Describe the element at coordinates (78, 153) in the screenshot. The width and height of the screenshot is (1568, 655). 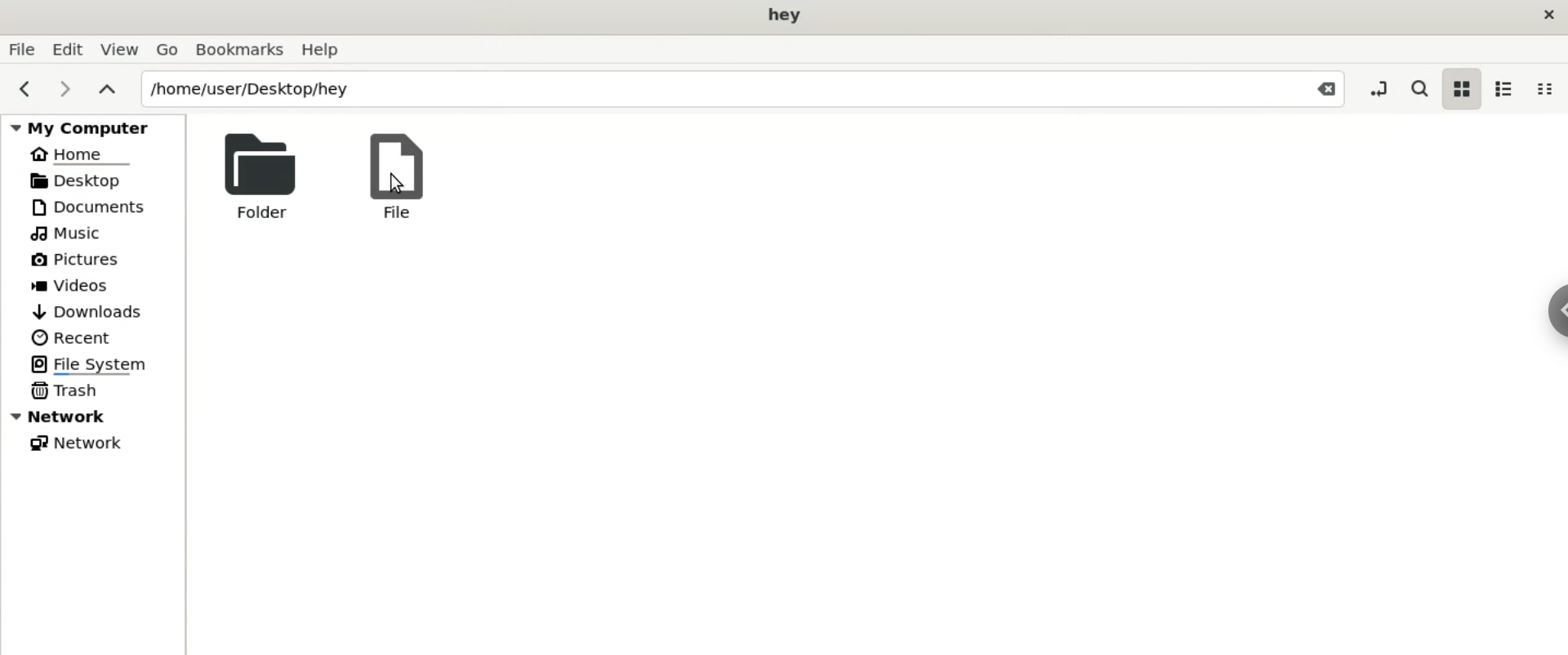
I see `home` at that location.